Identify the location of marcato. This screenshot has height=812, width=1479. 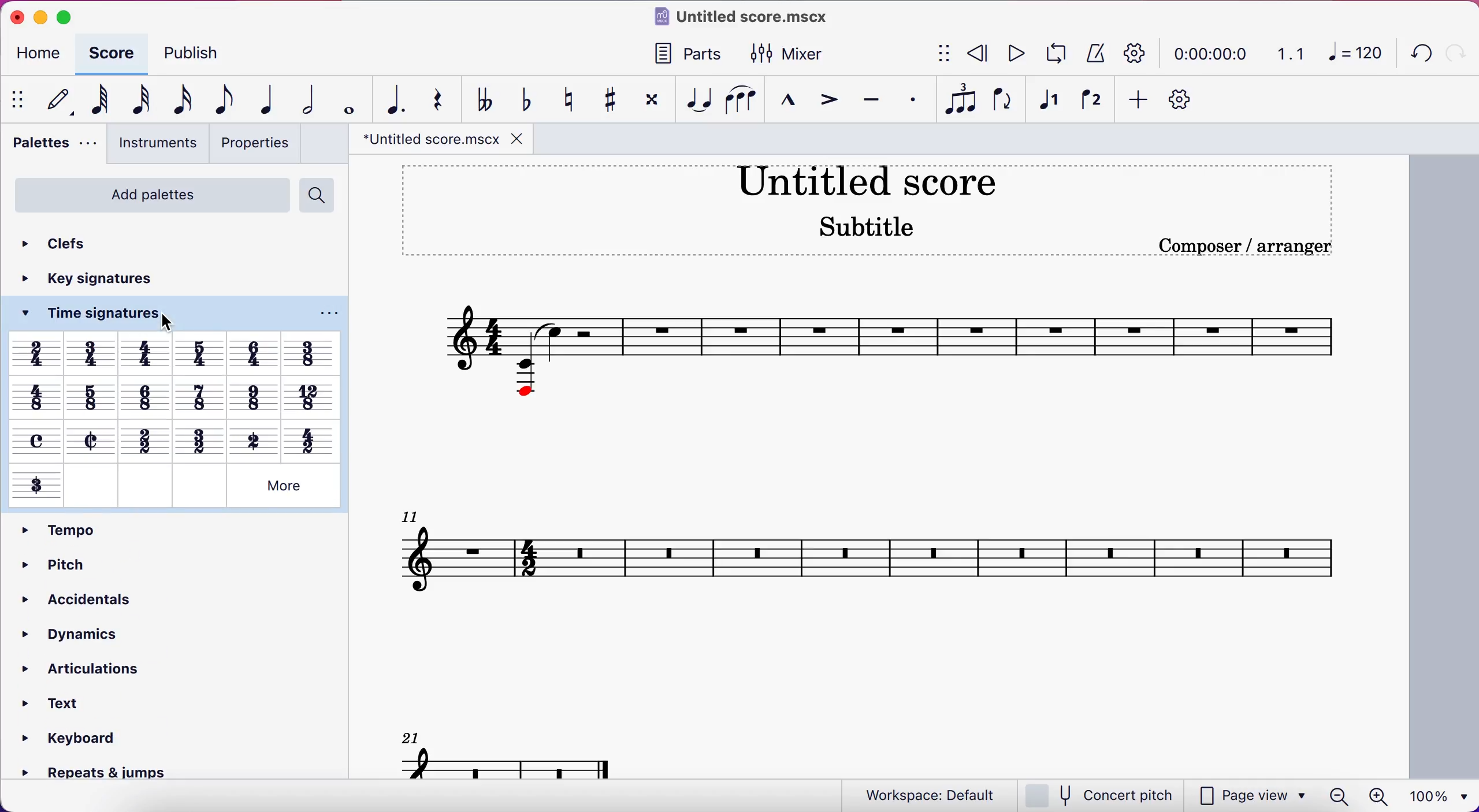
(786, 100).